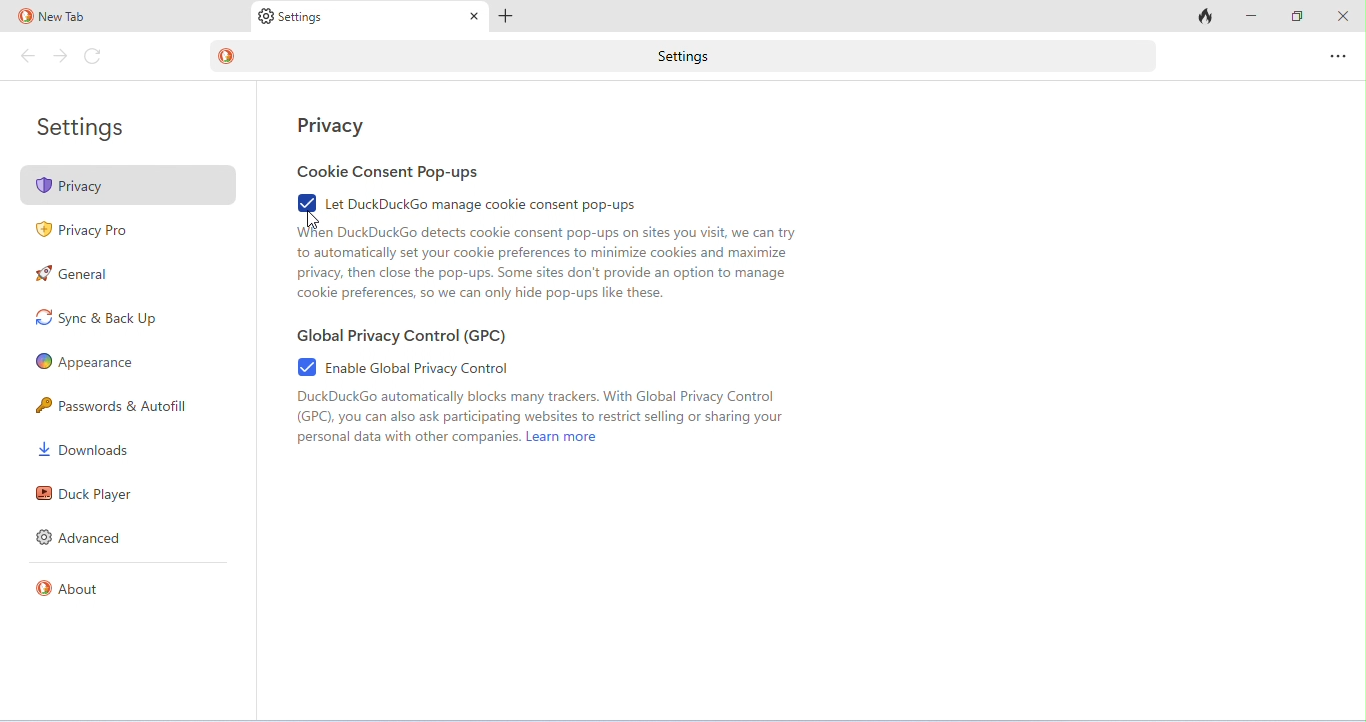 The height and width of the screenshot is (722, 1366). Describe the element at coordinates (129, 184) in the screenshot. I see `privacy` at that location.